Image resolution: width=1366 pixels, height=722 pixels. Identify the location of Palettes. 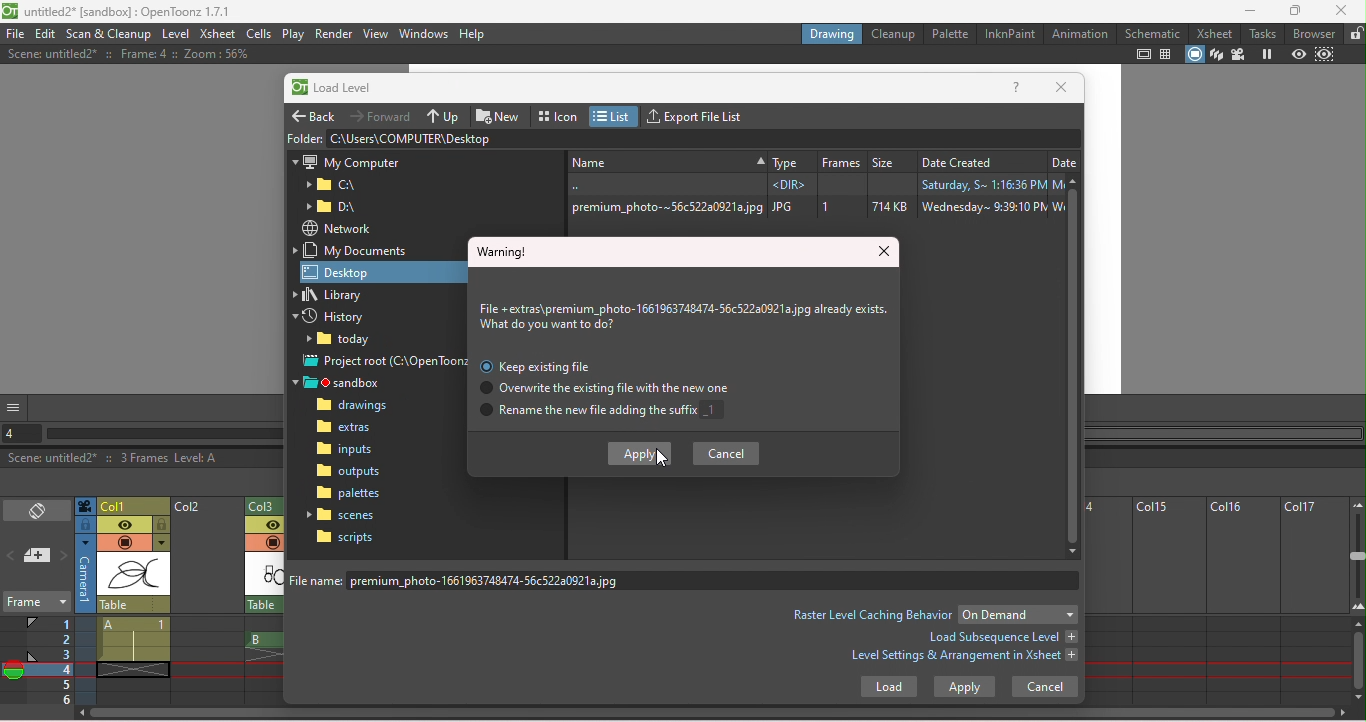
(350, 493).